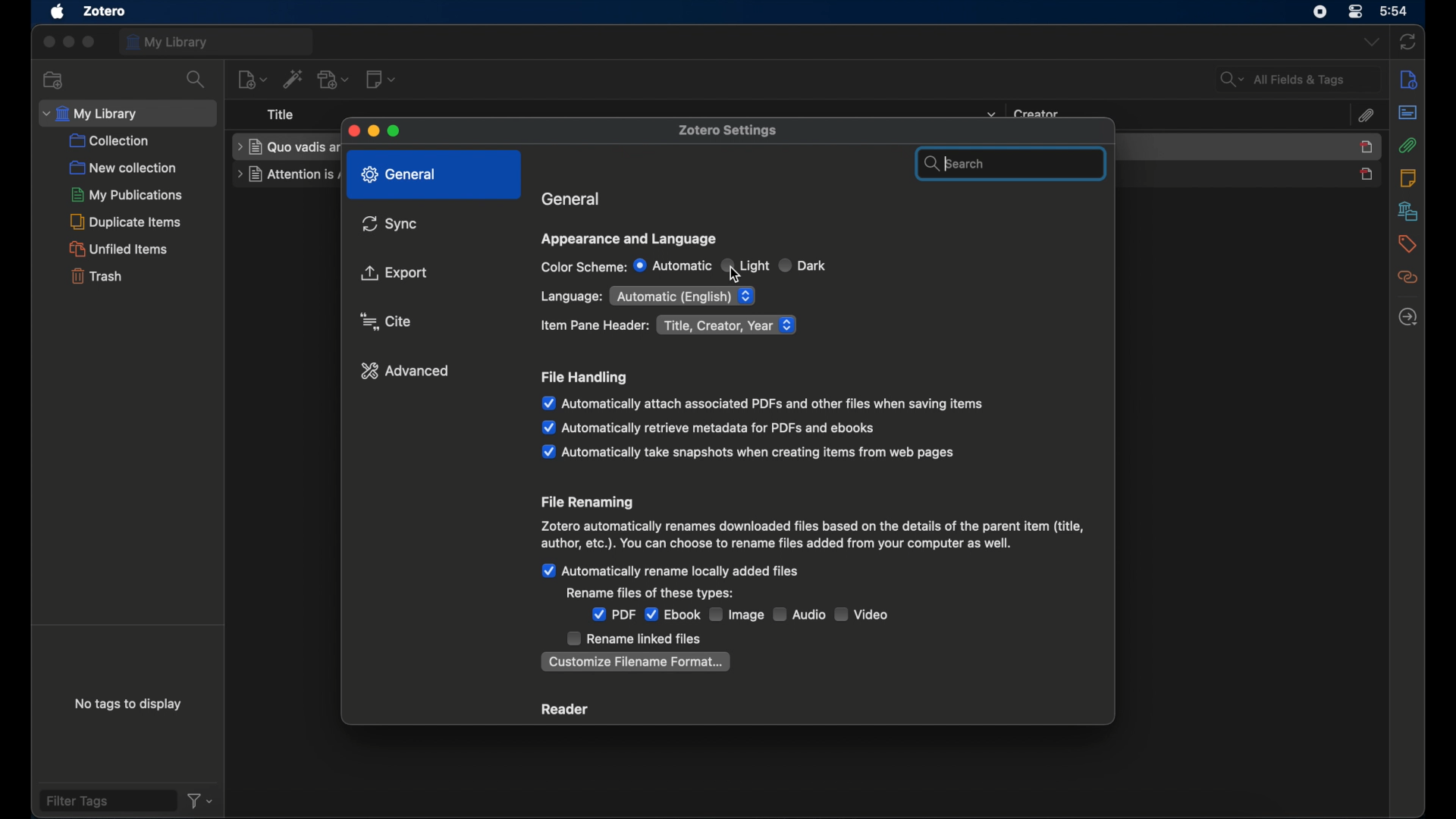  What do you see at coordinates (293, 79) in the screenshot?
I see `add items by identifier` at bounding box center [293, 79].